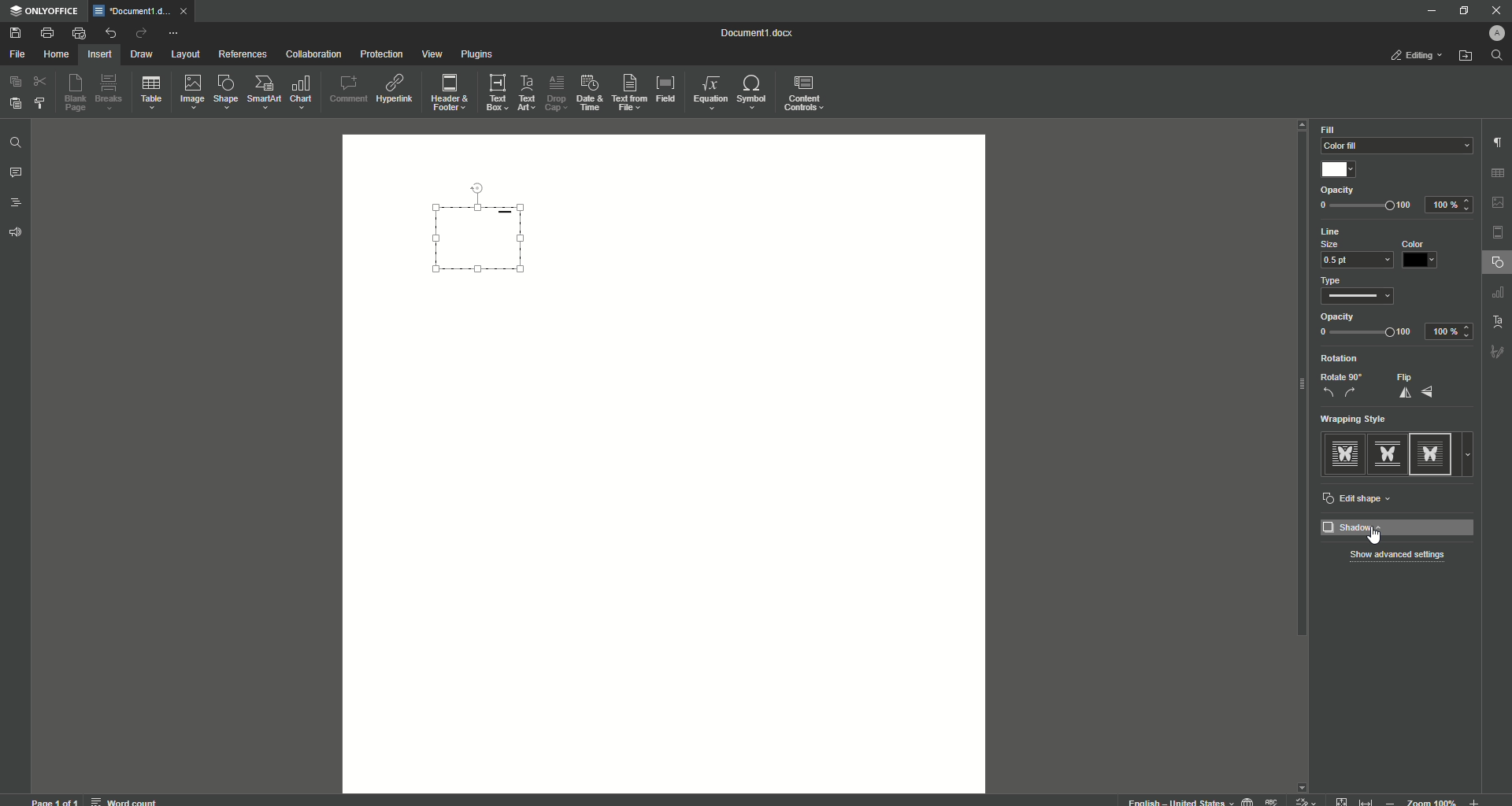 The width and height of the screenshot is (1512, 806). I want to click on scroll up, so click(1303, 125).